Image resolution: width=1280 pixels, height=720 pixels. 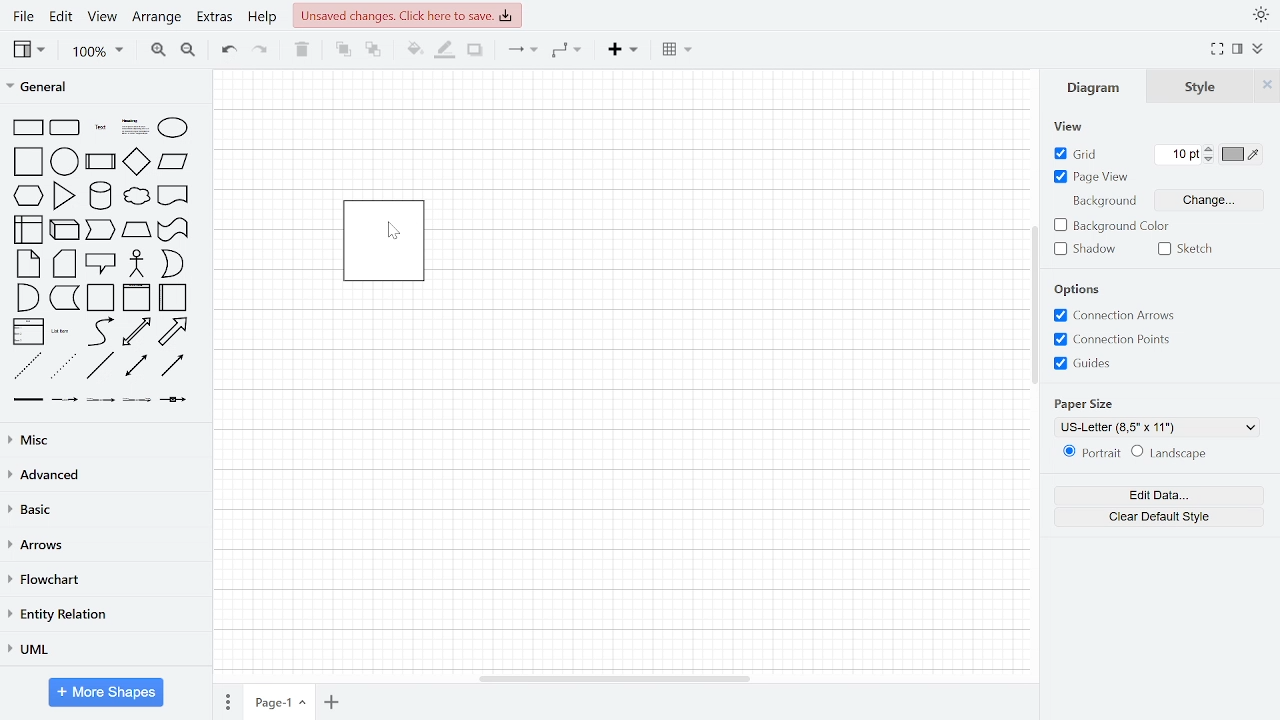 What do you see at coordinates (171, 264) in the screenshot?
I see `or` at bounding box center [171, 264].